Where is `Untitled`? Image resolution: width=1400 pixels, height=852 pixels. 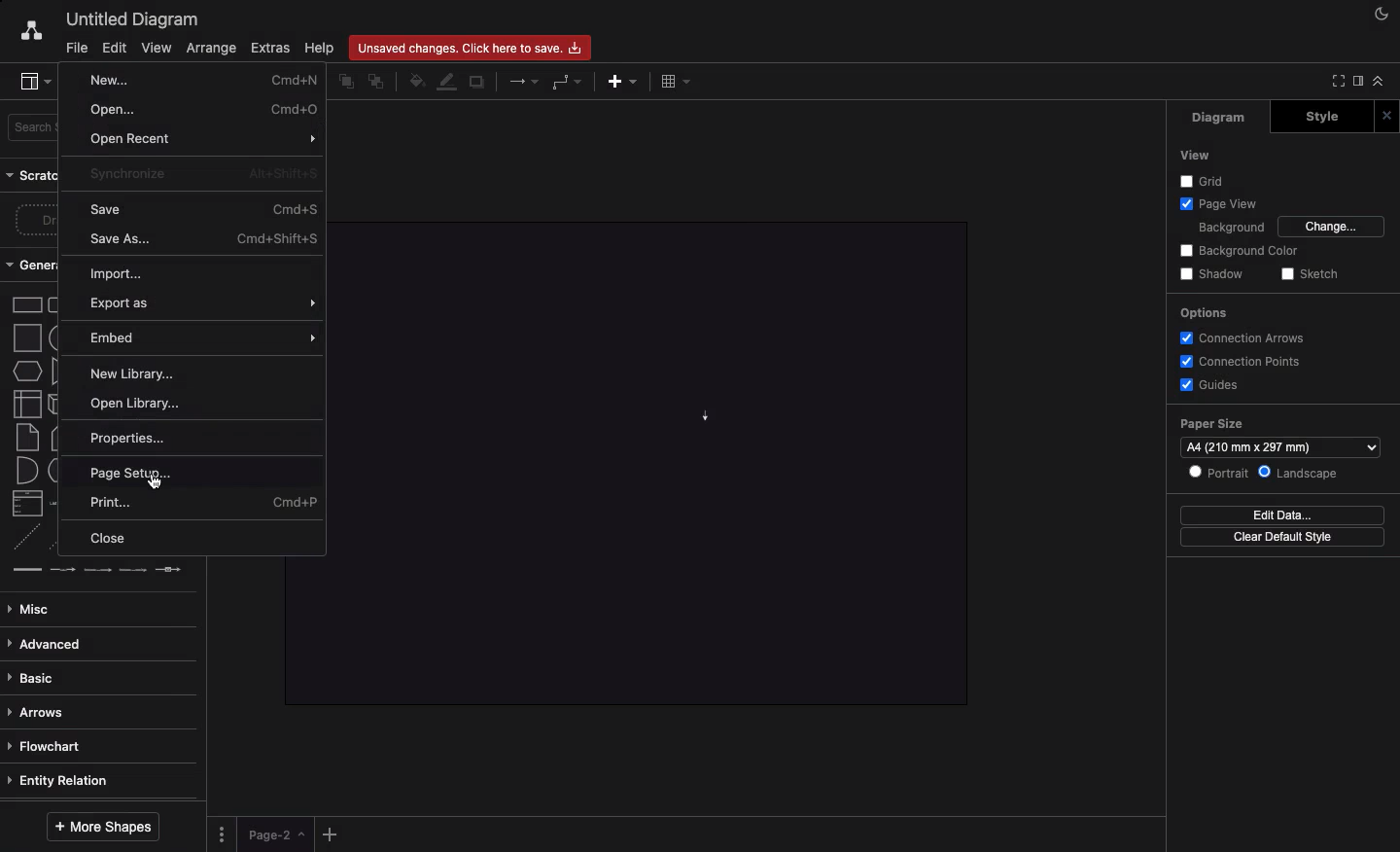
Untitled is located at coordinates (128, 18).